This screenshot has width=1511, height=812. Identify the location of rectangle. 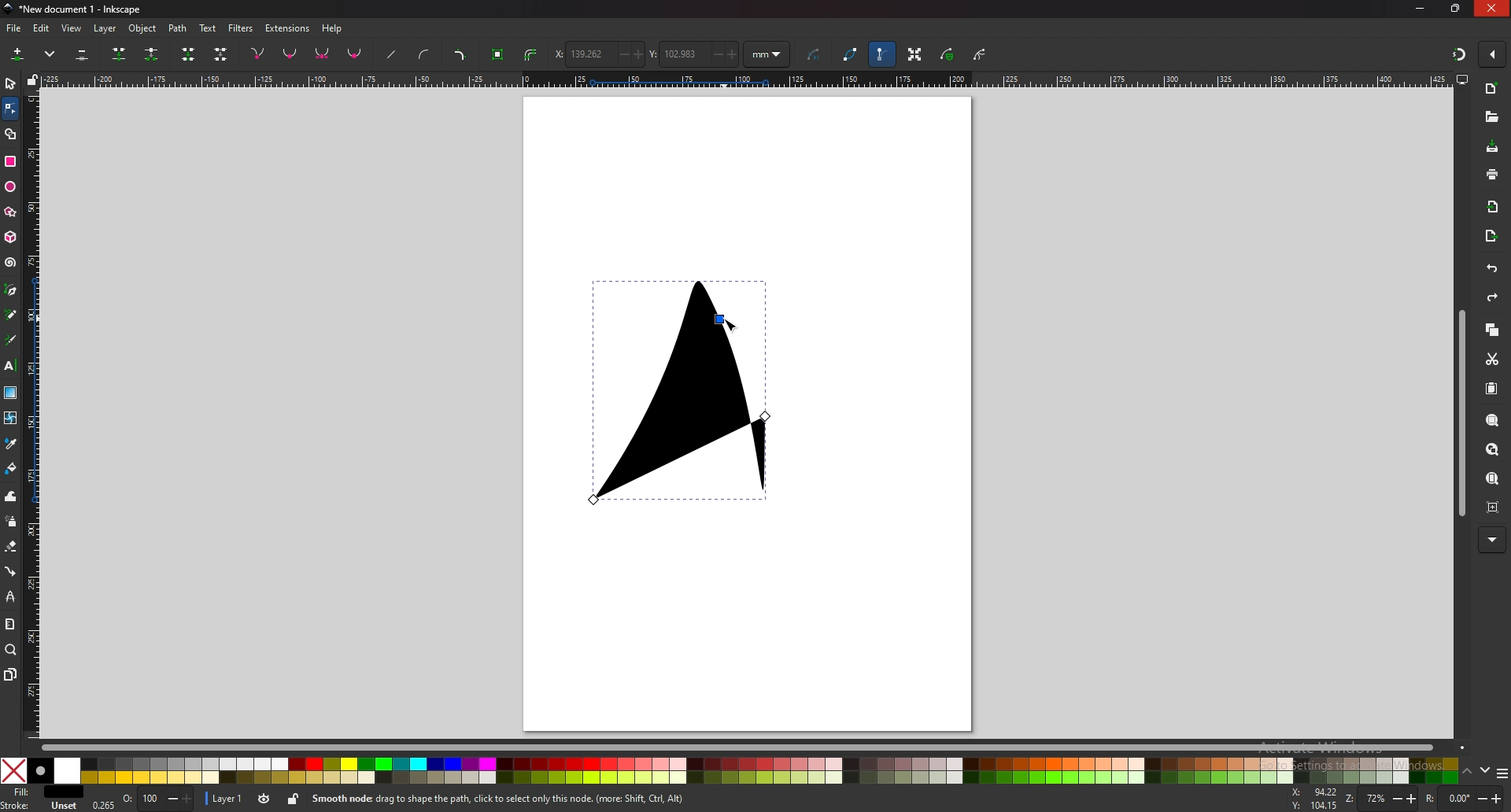
(10, 161).